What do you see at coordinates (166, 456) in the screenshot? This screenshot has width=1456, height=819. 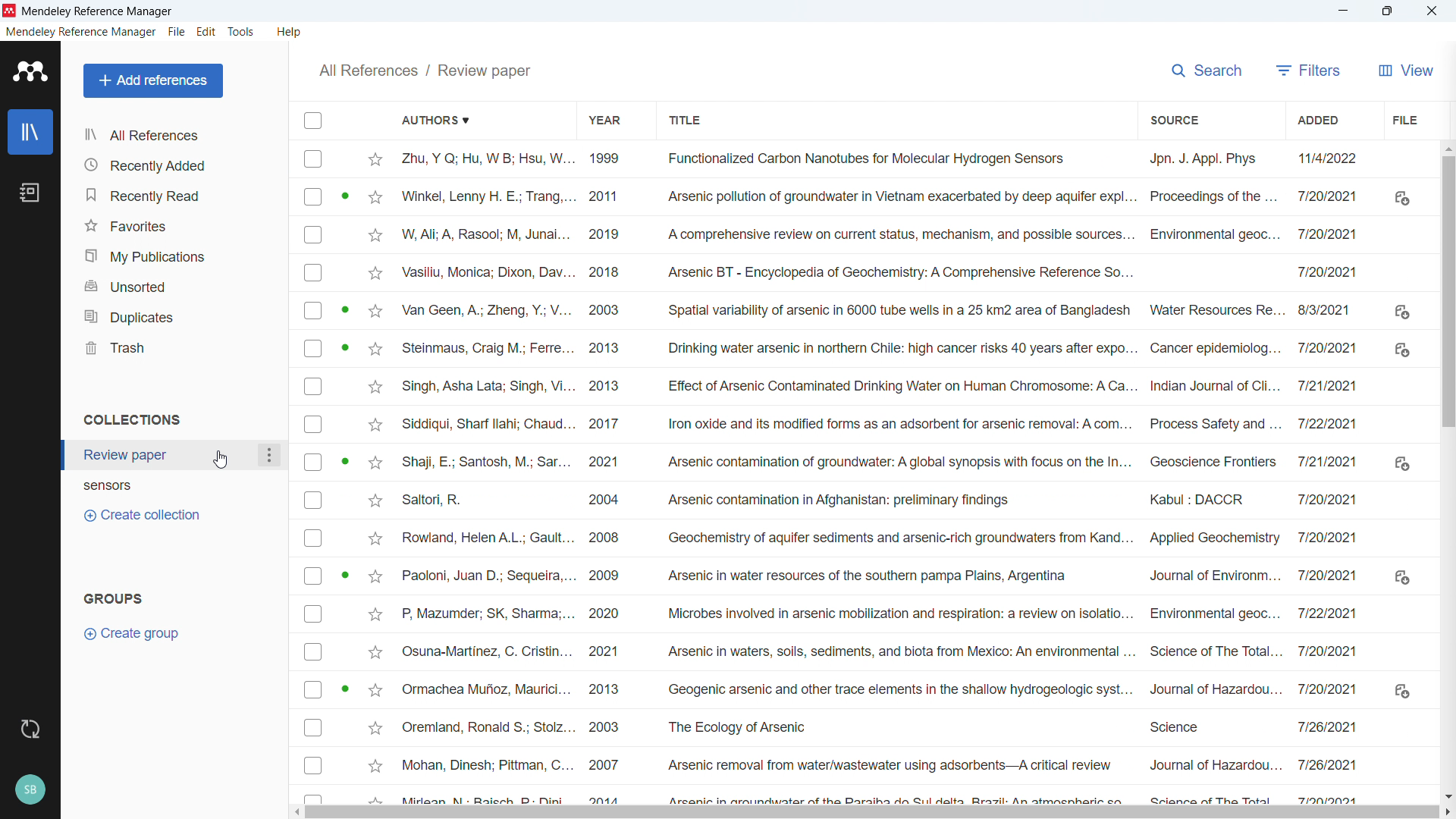 I see `Collection 1 ` at bounding box center [166, 456].